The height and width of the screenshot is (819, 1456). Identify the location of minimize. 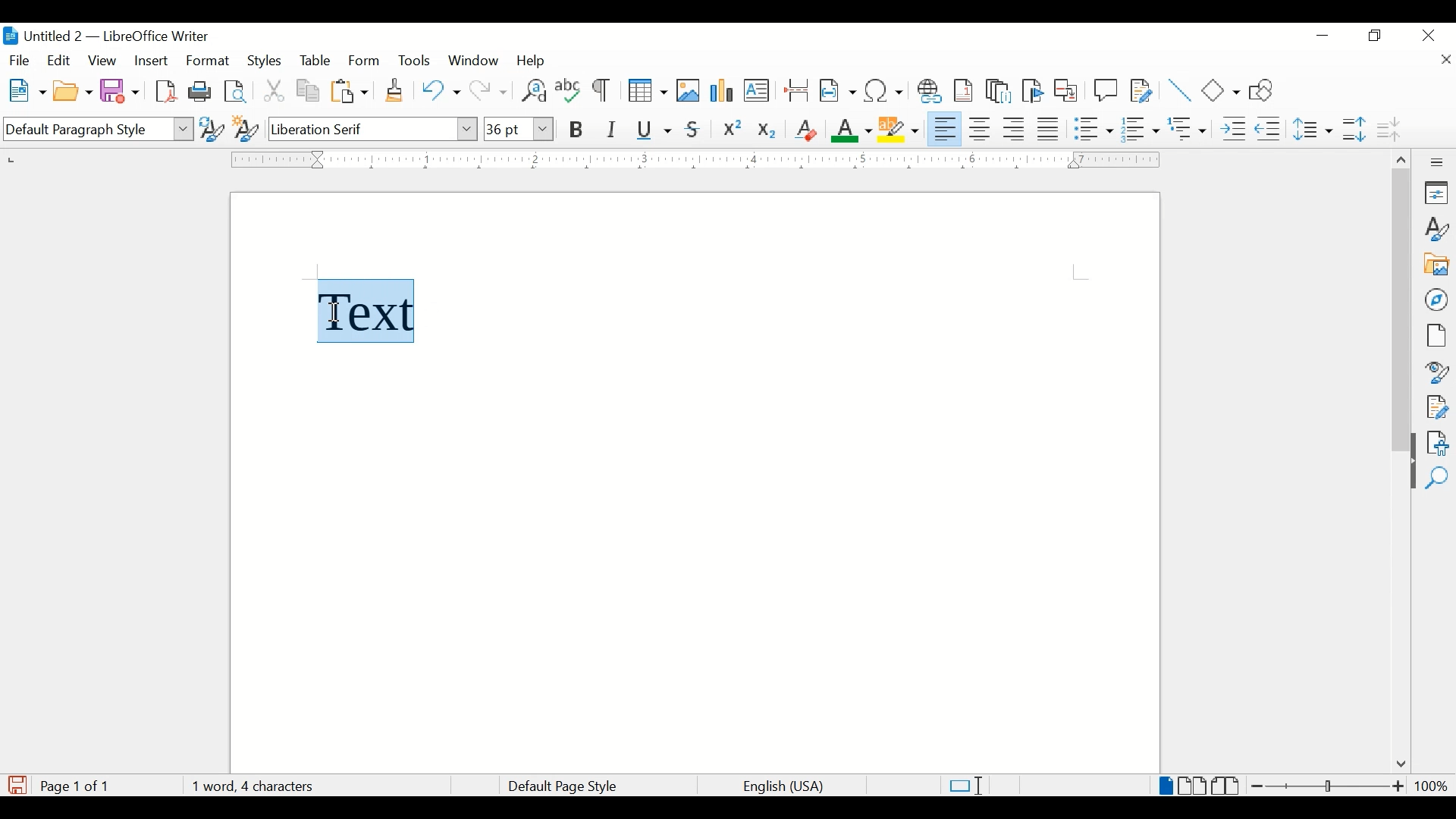
(1324, 36).